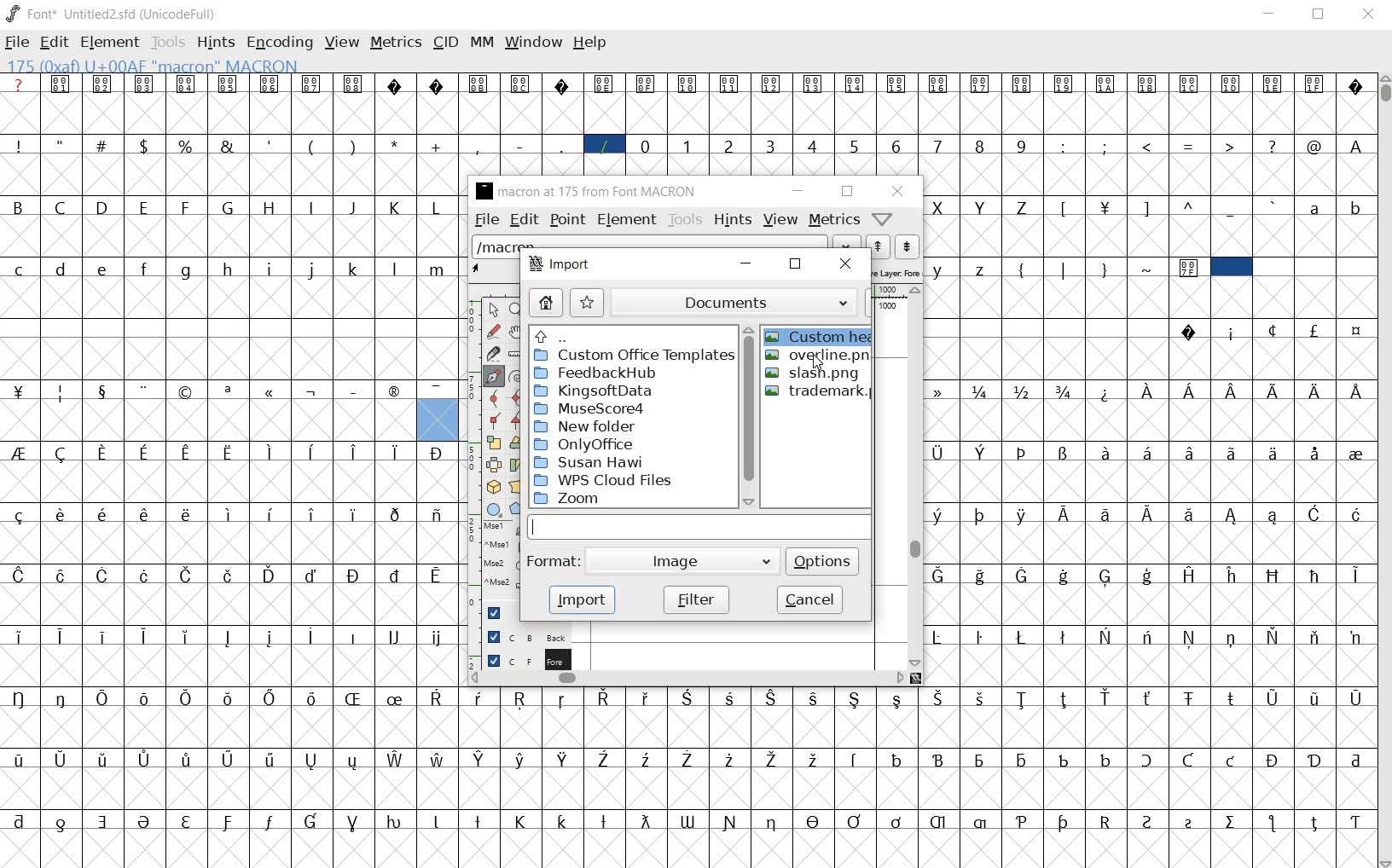 The height and width of the screenshot is (868, 1392). What do you see at coordinates (229, 390) in the screenshot?
I see `Symbol` at bounding box center [229, 390].